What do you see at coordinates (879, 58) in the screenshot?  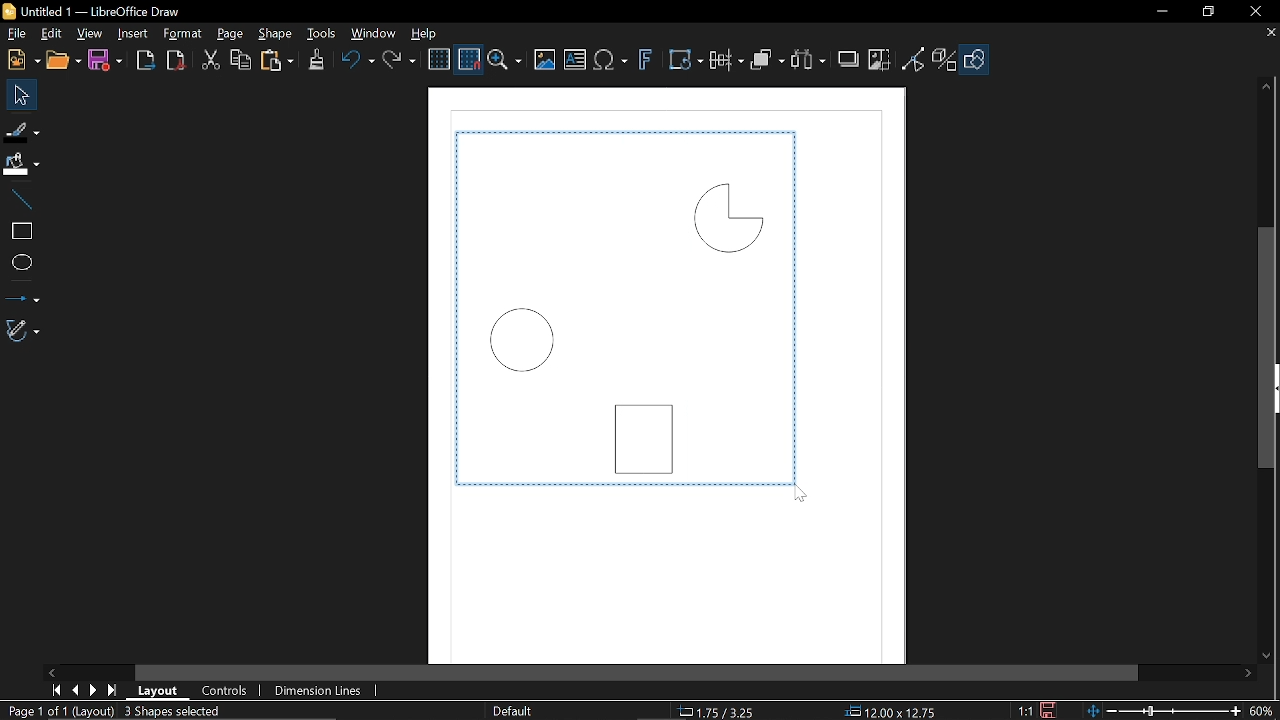 I see `Crop` at bounding box center [879, 58].